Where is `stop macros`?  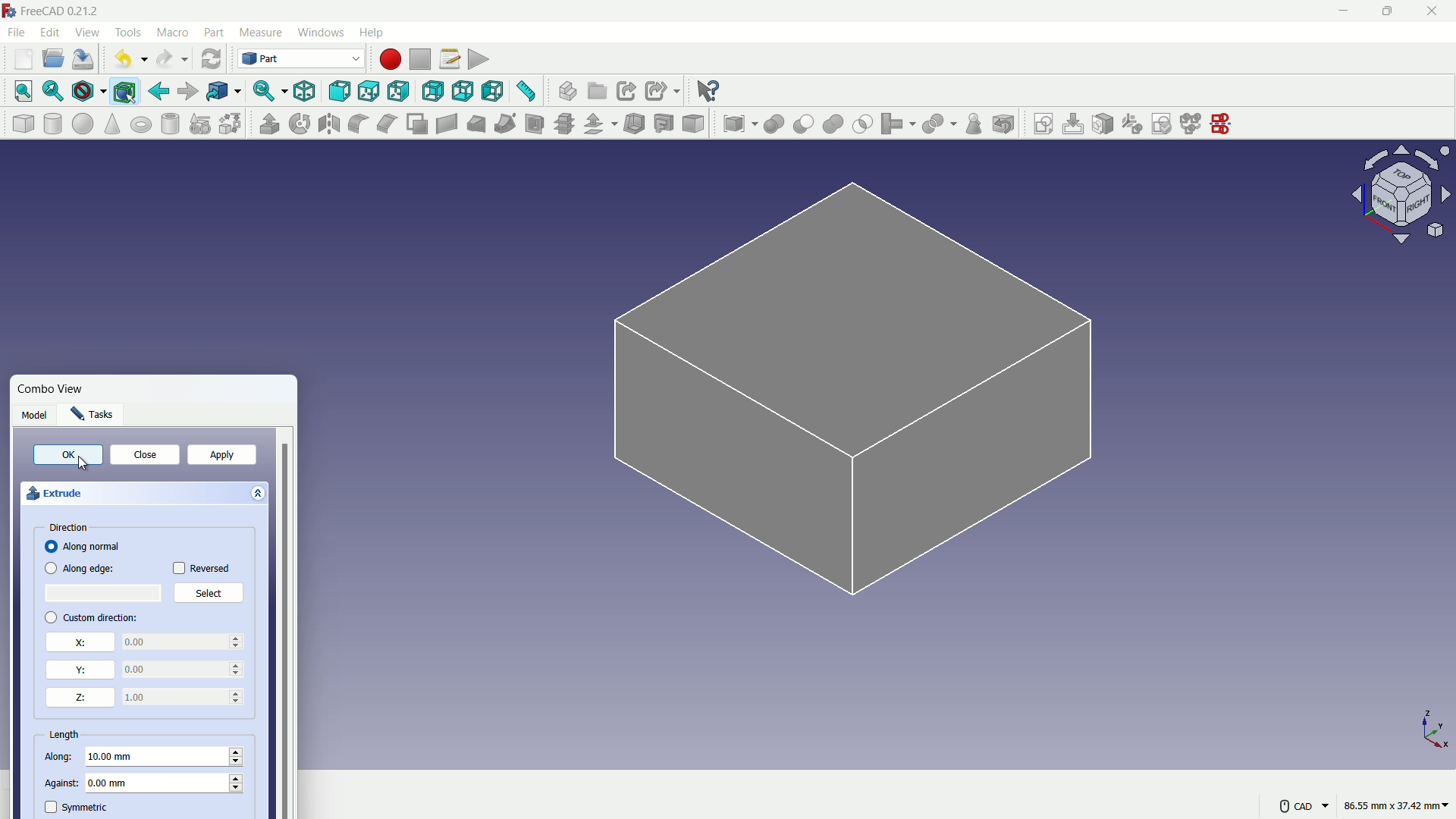 stop macros is located at coordinates (420, 60).